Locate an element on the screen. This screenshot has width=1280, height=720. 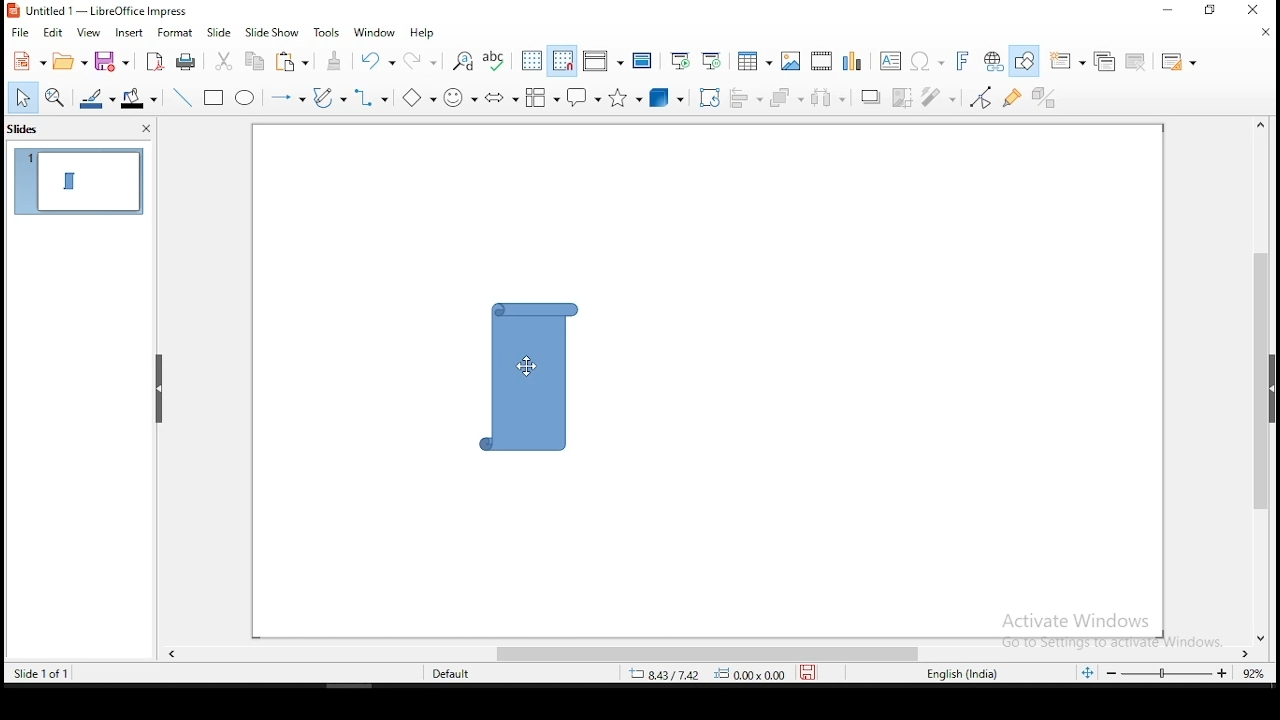
arrange is located at coordinates (786, 98).